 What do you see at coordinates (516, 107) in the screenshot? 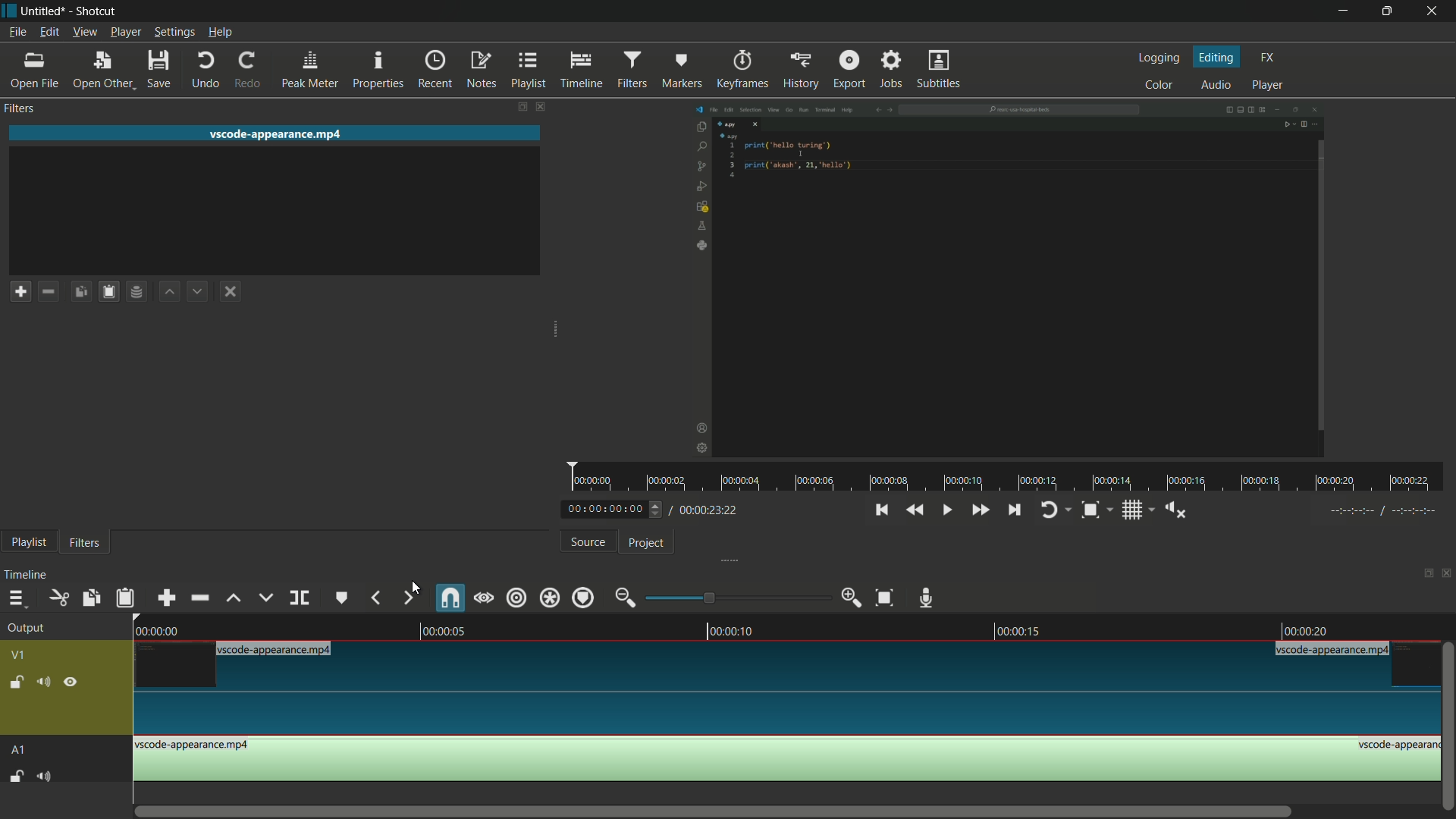
I see `change layout` at bounding box center [516, 107].